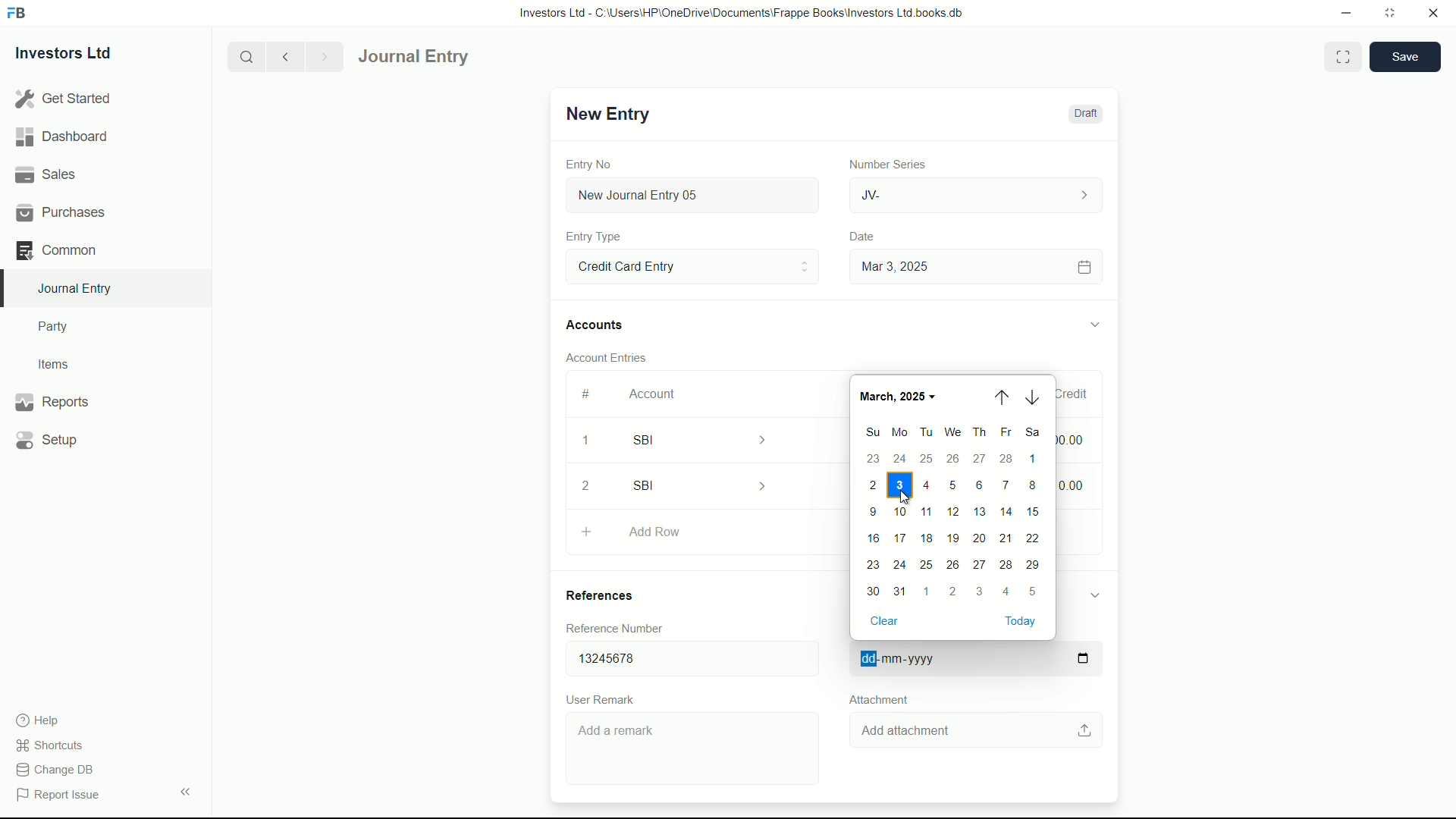  What do you see at coordinates (691, 265) in the screenshot?
I see `Entry Type` at bounding box center [691, 265].